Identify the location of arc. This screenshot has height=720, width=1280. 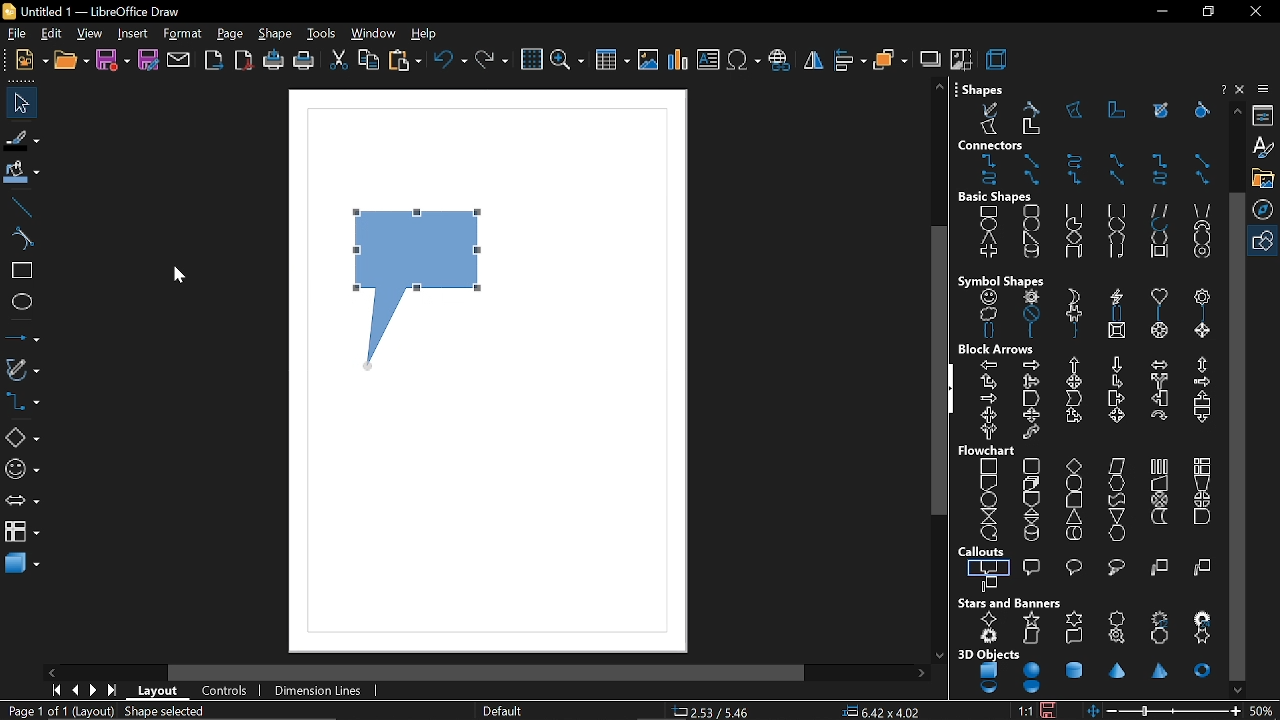
(1158, 225).